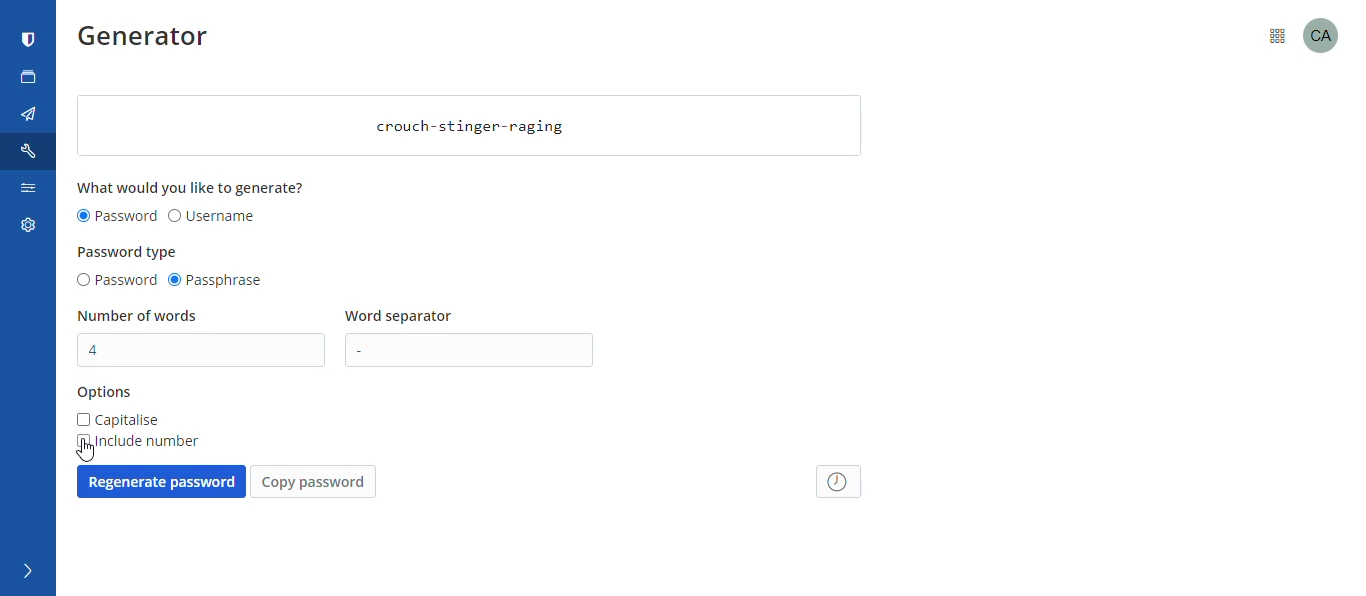  What do you see at coordinates (203, 350) in the screenshot?
I see `number of words textbox` at bounding box center [203, 350].